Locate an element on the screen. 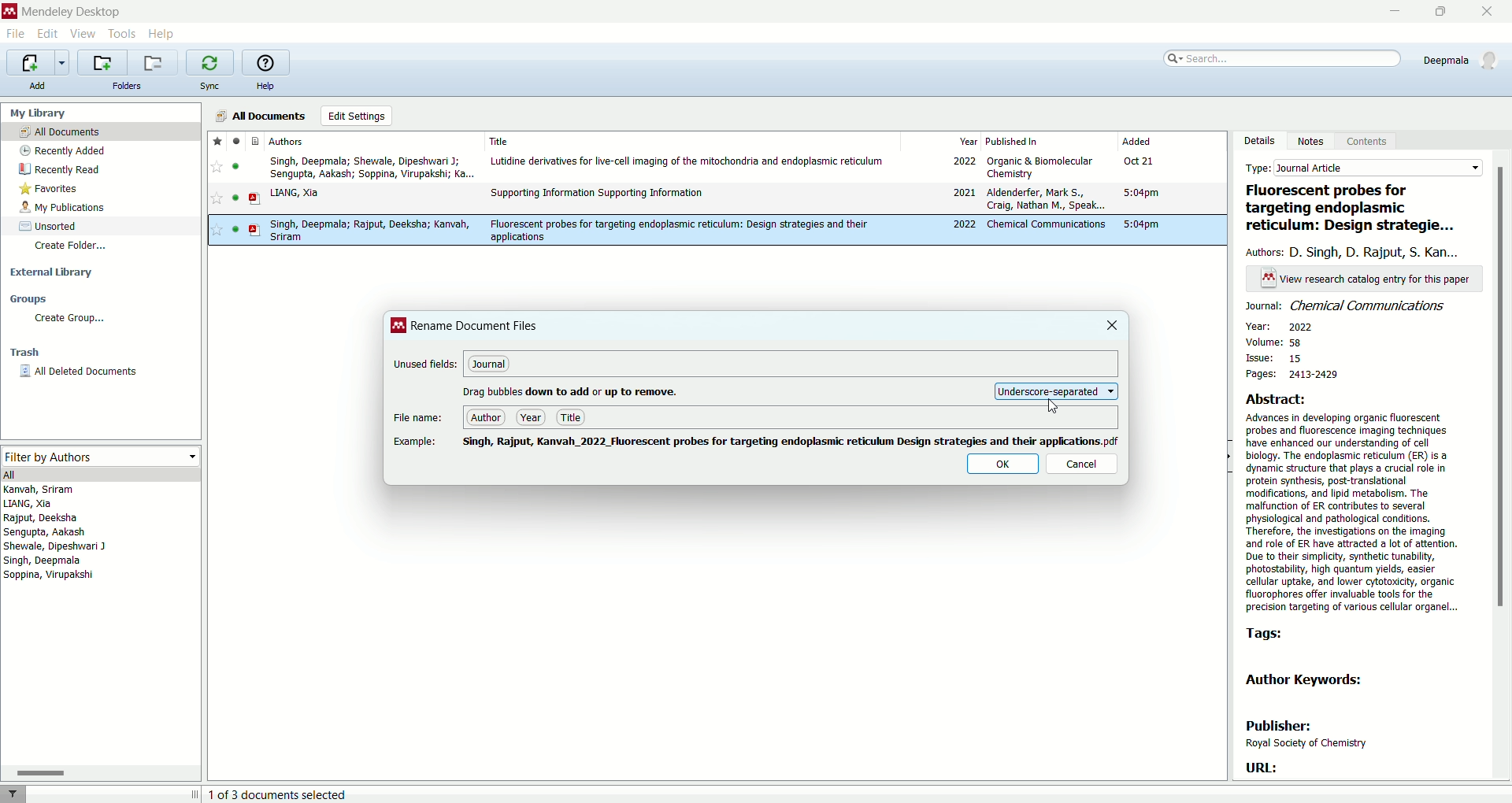 The width and height of the screenshot is (1512, 803). details is located at coordinates (1259, 141).